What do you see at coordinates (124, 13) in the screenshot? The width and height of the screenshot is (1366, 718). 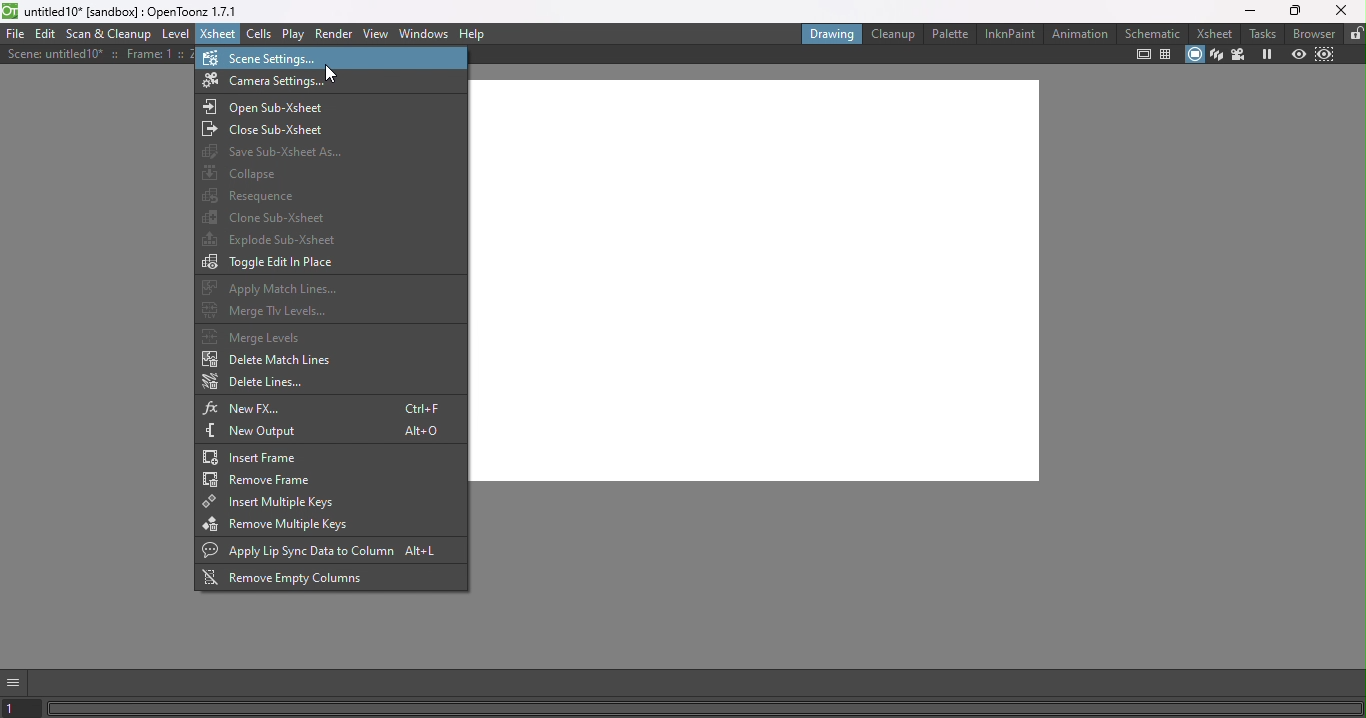 I see `File name` at bounding box center [124, 13].